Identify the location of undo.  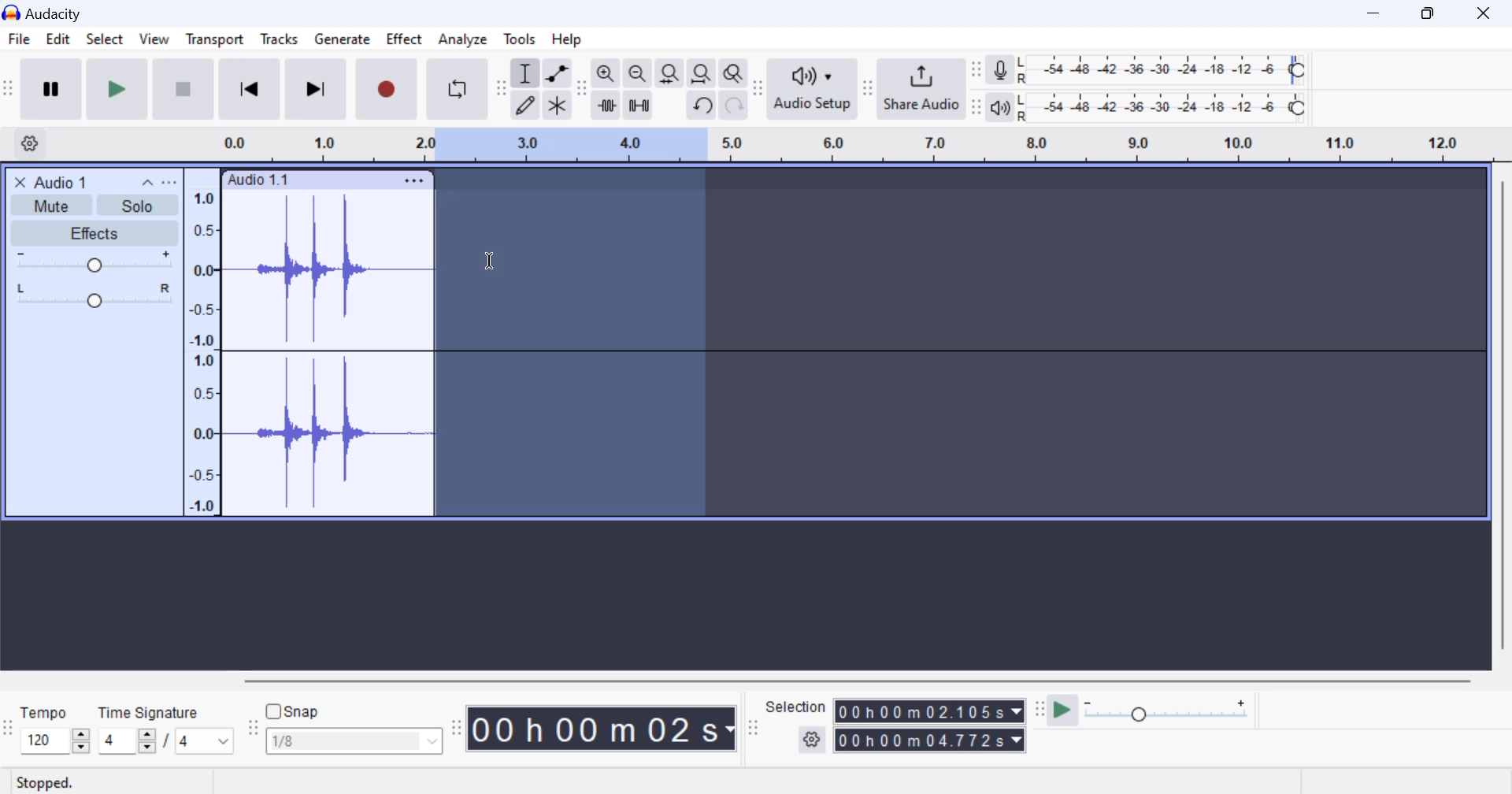
(703, 106).